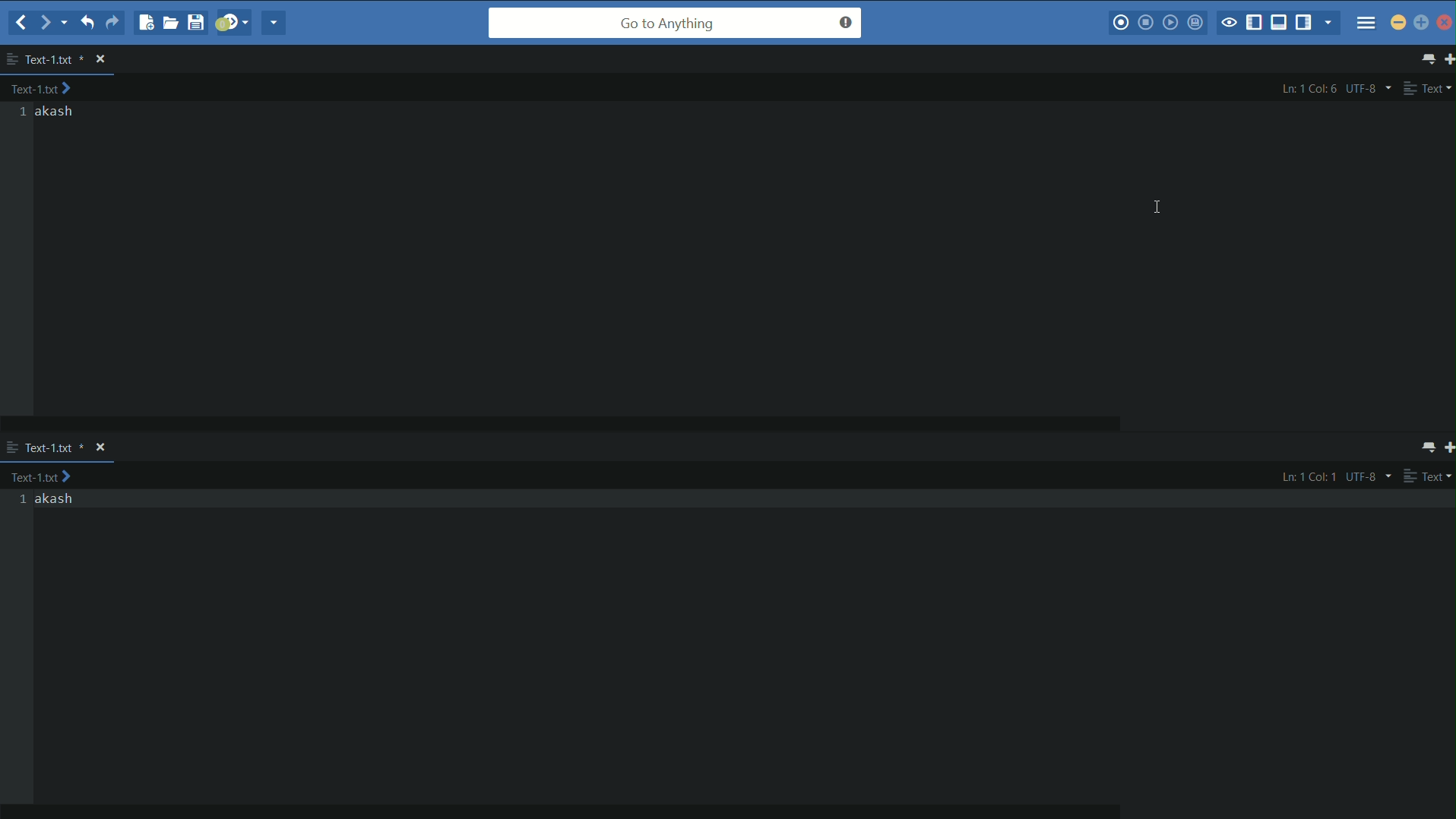 The height and width of the screenshot is (819, 1456). Describe the element at coordinates (1282, 21) in the screenshot. I see `show/hide bottom panel` at that location.